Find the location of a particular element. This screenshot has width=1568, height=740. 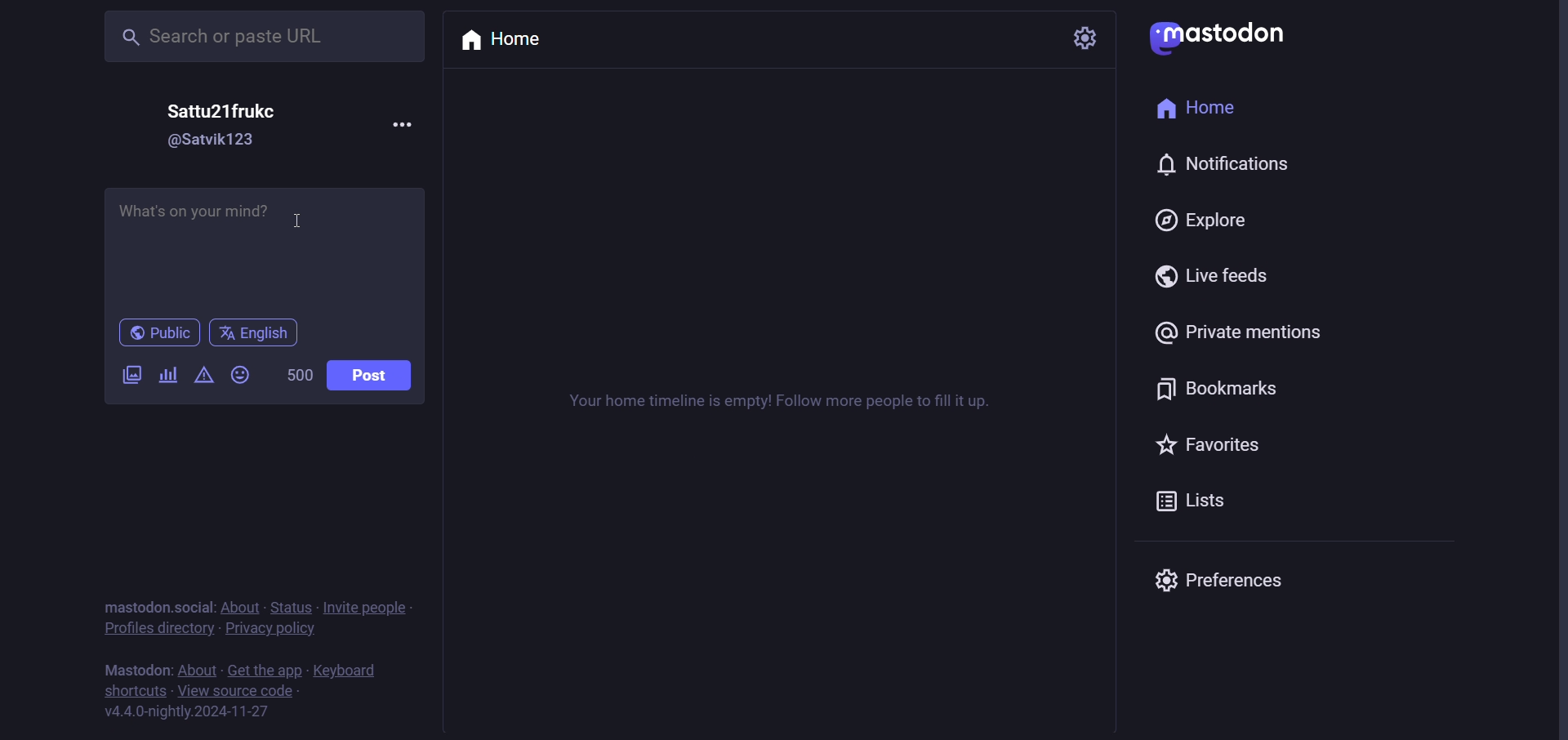

bookmarks is located at coordinates (1218, 392).